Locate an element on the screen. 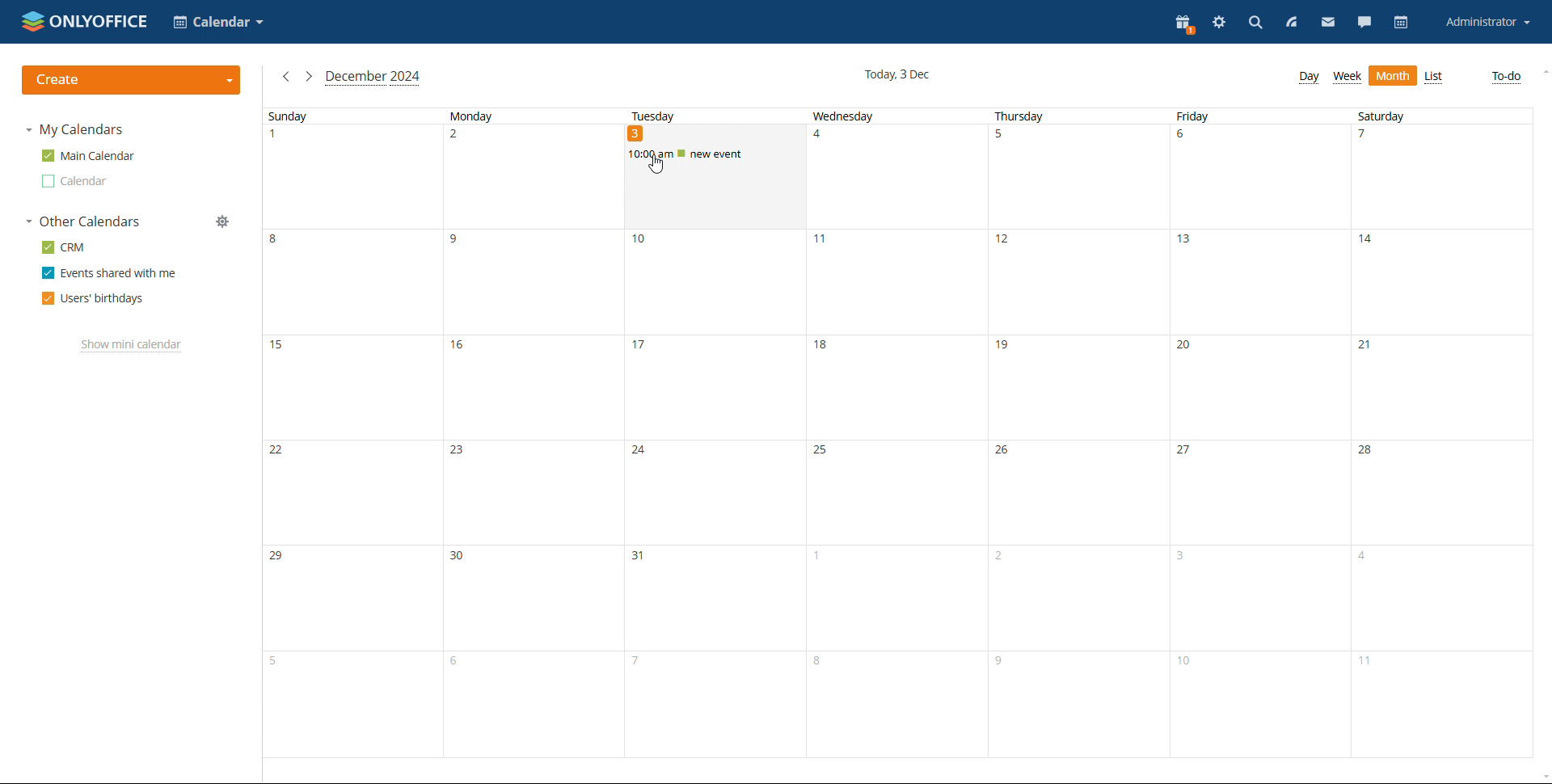  select application is located at coordinates (217, 22).